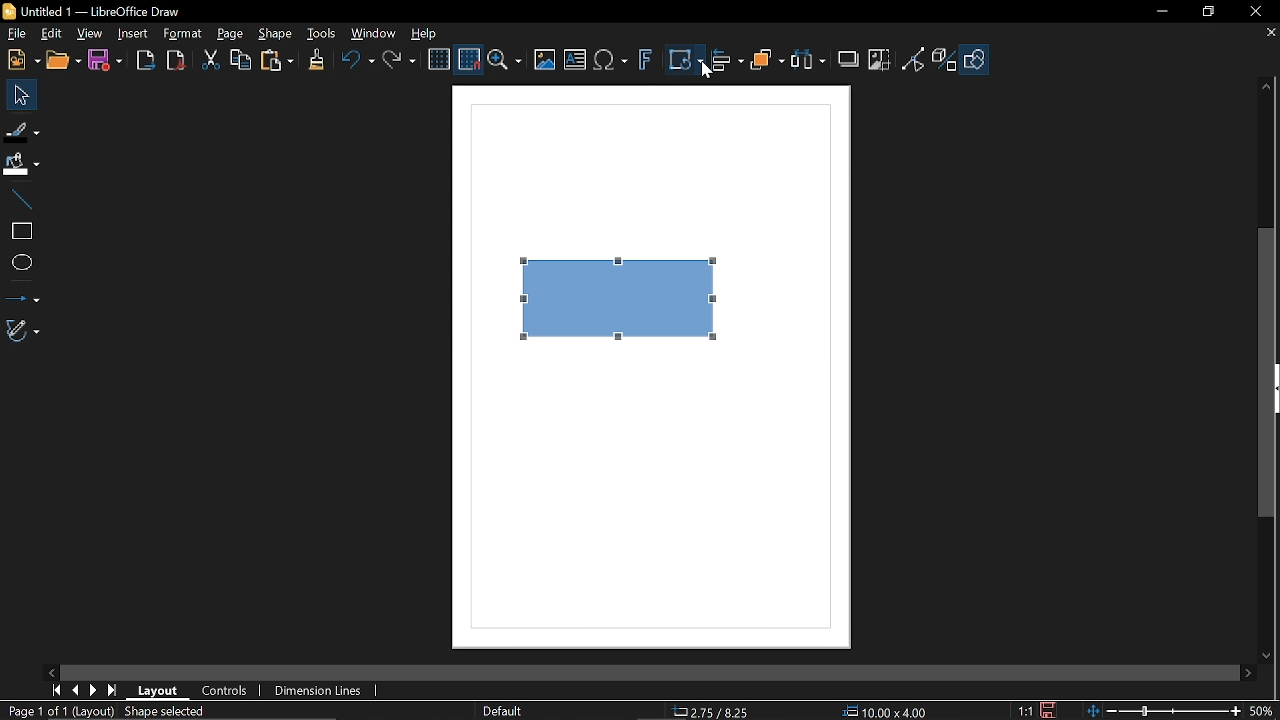 The height and width of the screenshot is (720, 1280). I want to click on Selelct t least three objects to distribute, so click(808, 61).